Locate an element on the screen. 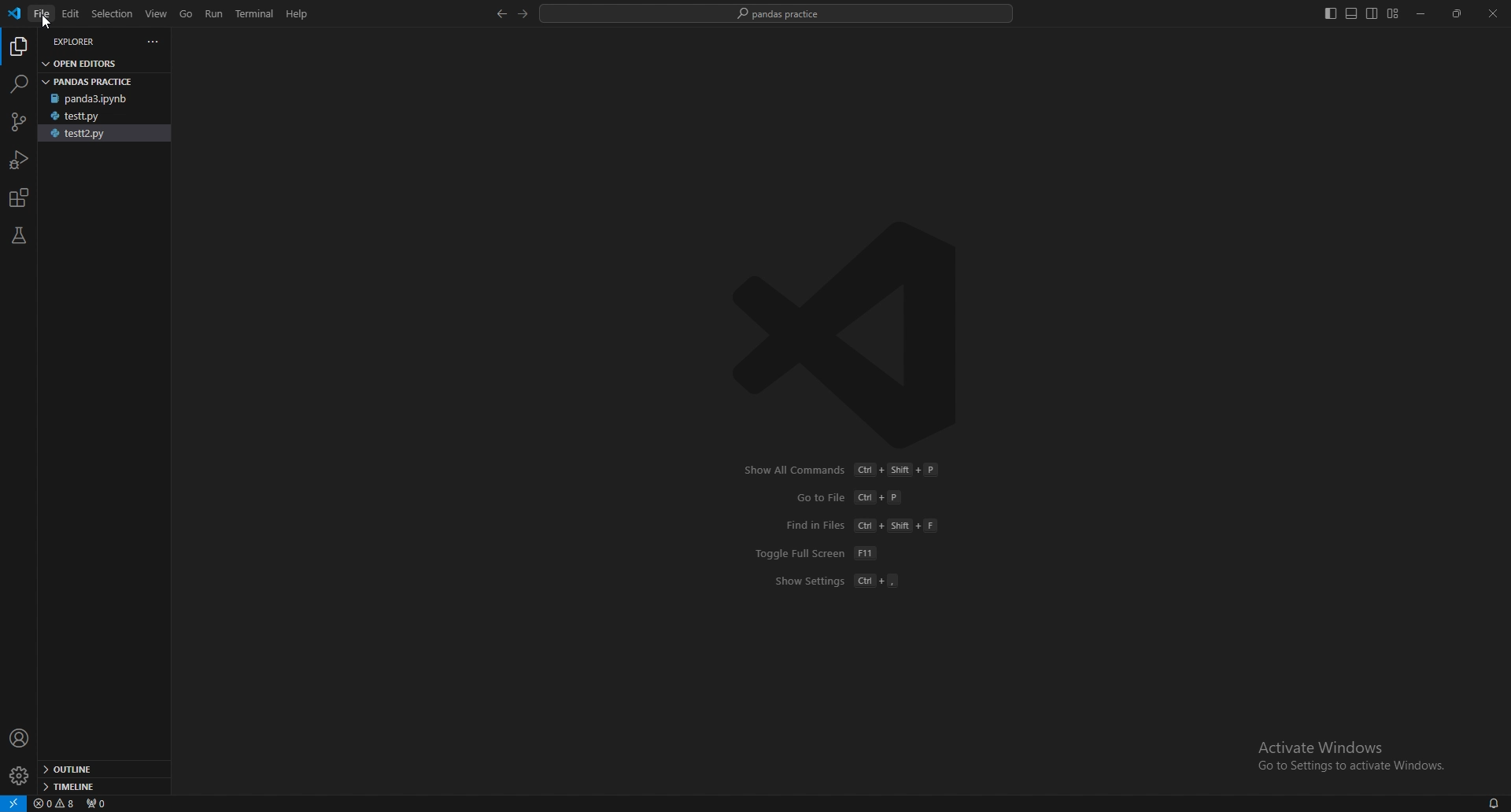 This screenshot has width=1511, height=812. back is located at coordinates (501, 15).